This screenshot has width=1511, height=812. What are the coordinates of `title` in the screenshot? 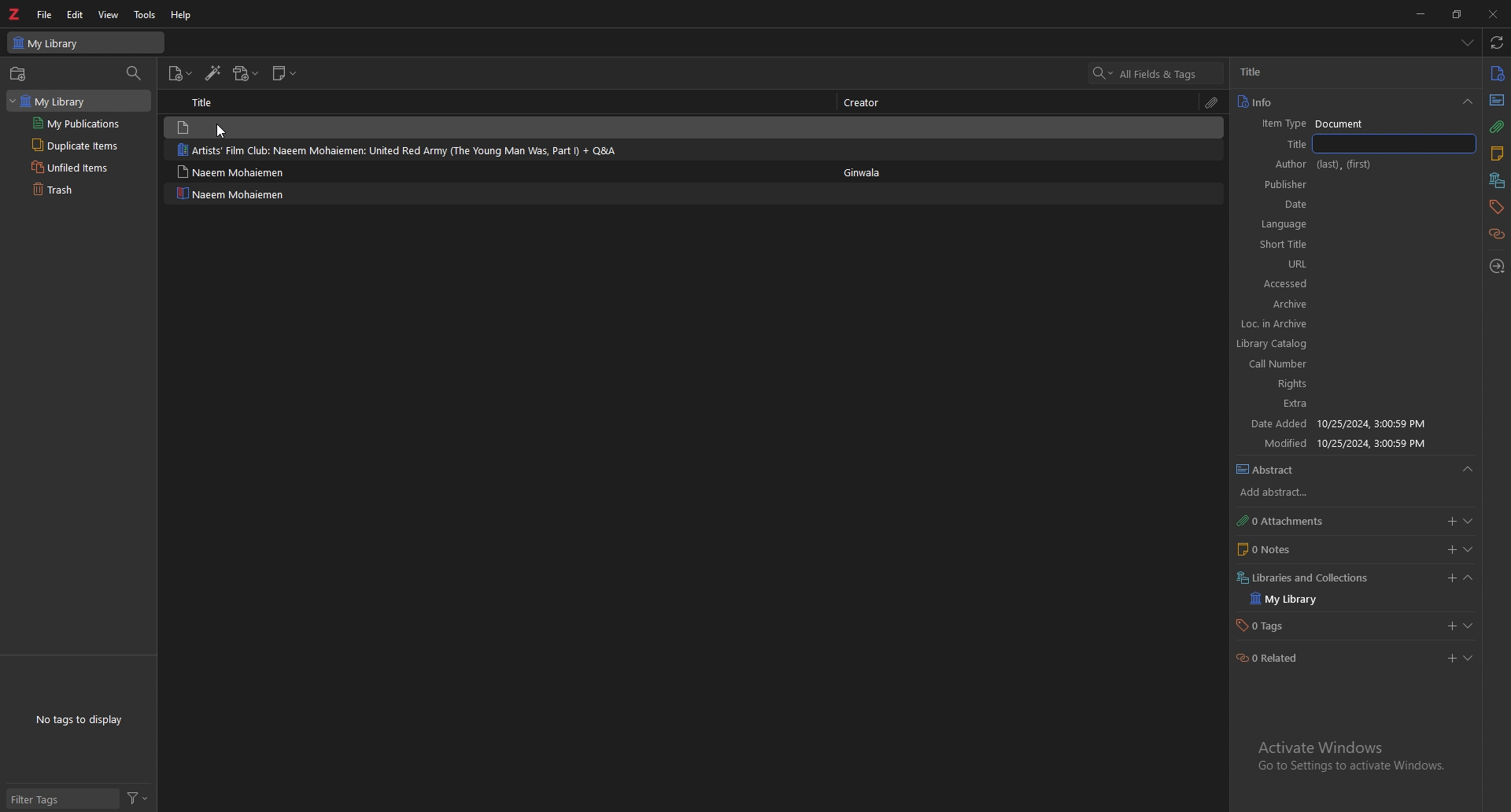 It's located at (207, 101).